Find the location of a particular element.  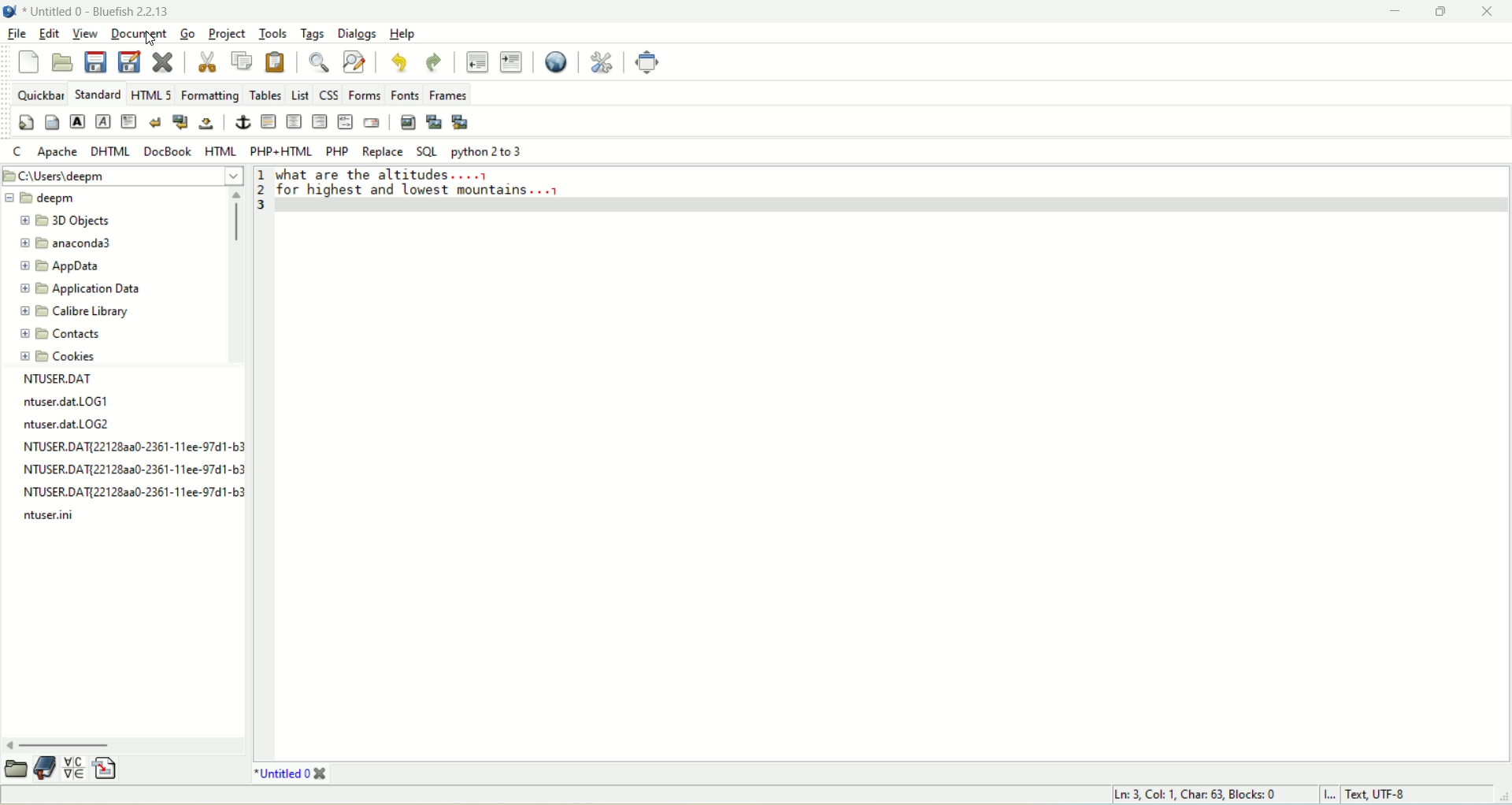

Standard is located at coordinates (97, 93).